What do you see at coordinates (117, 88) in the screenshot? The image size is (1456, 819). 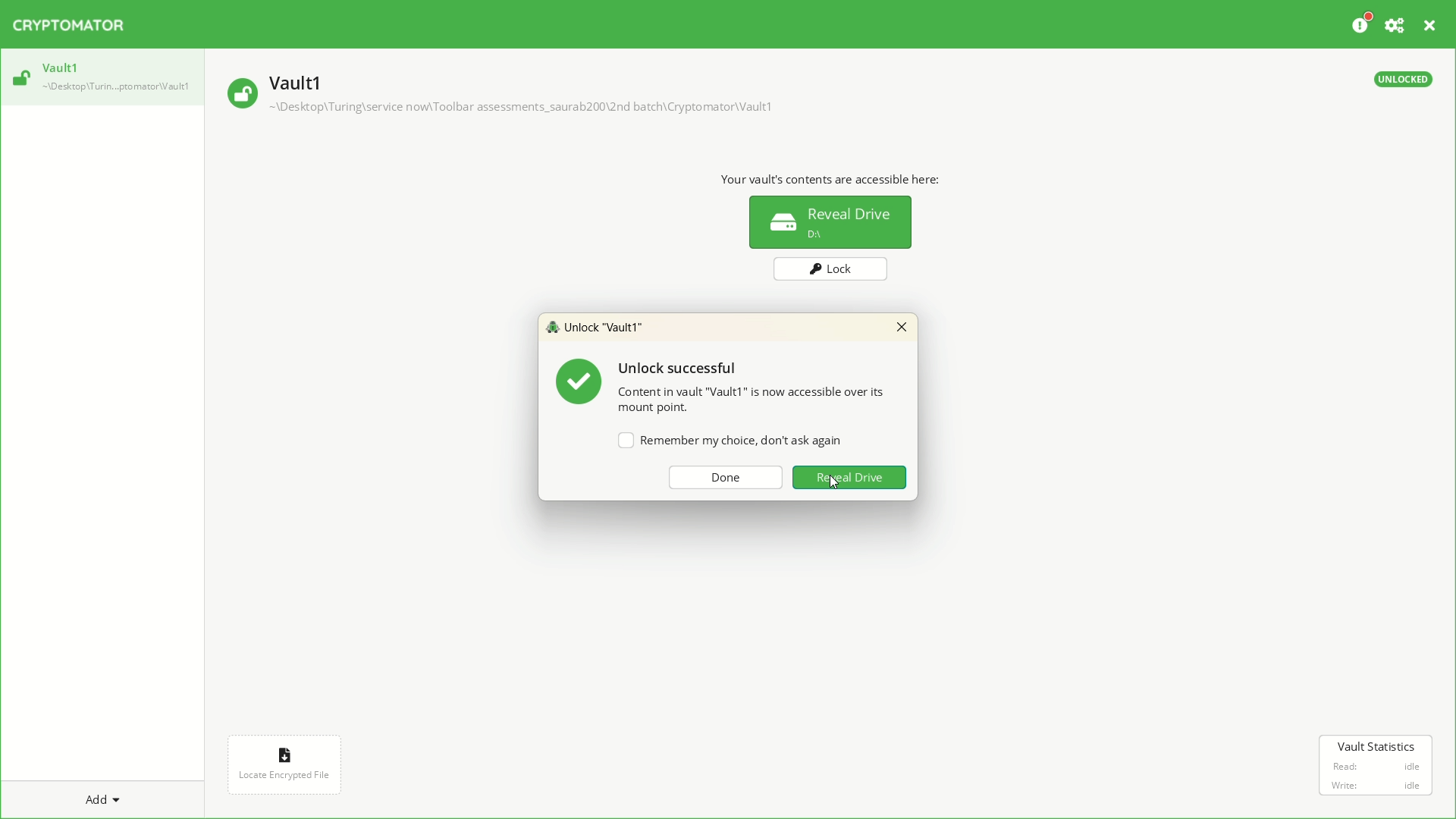 I see `vault1 location` at bounding box center [117, 88].